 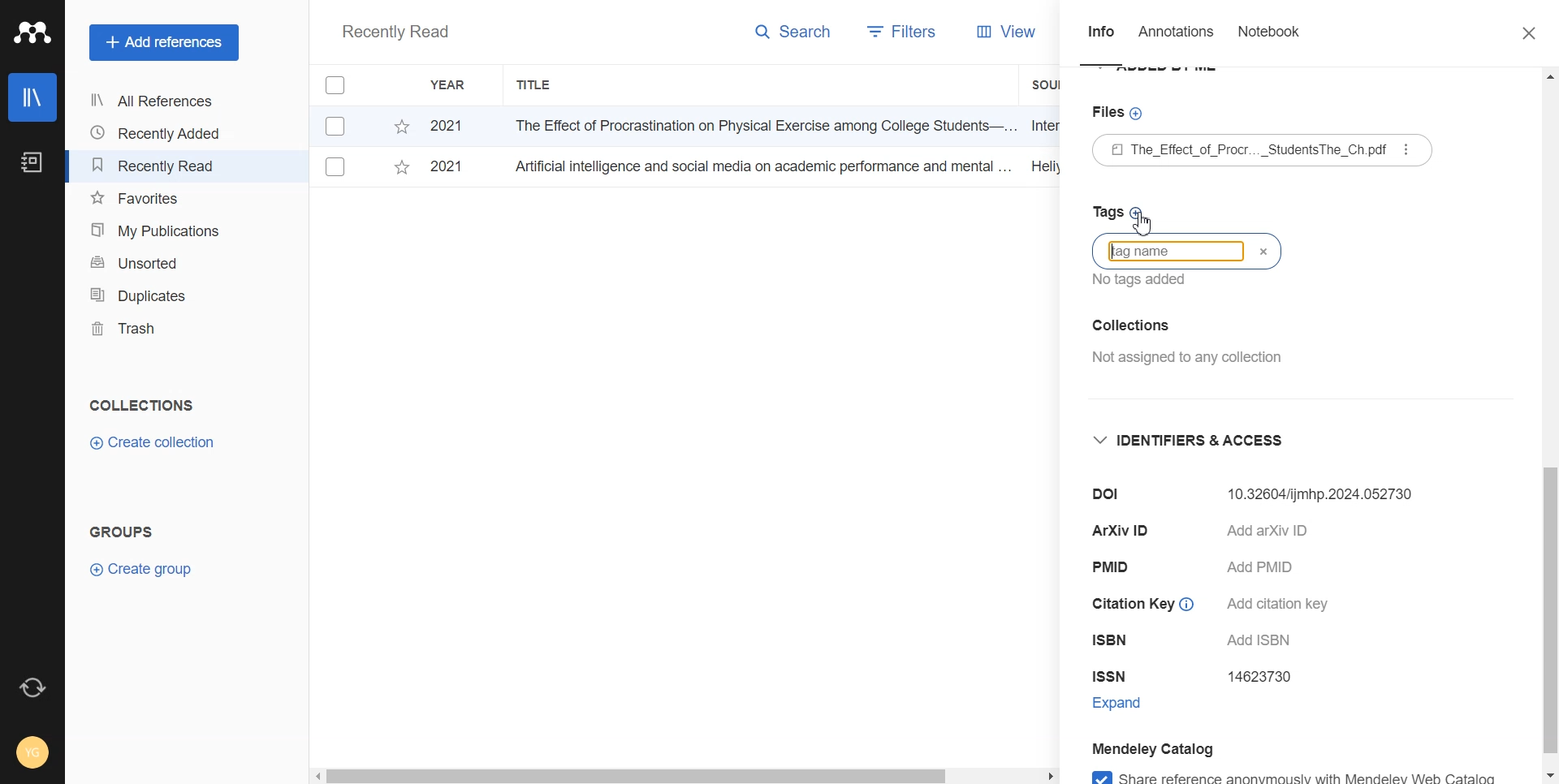 What do you see at coordinates (339, 125) in the screenshot?
I see `Checkbox` at bounding box center [339, 125].